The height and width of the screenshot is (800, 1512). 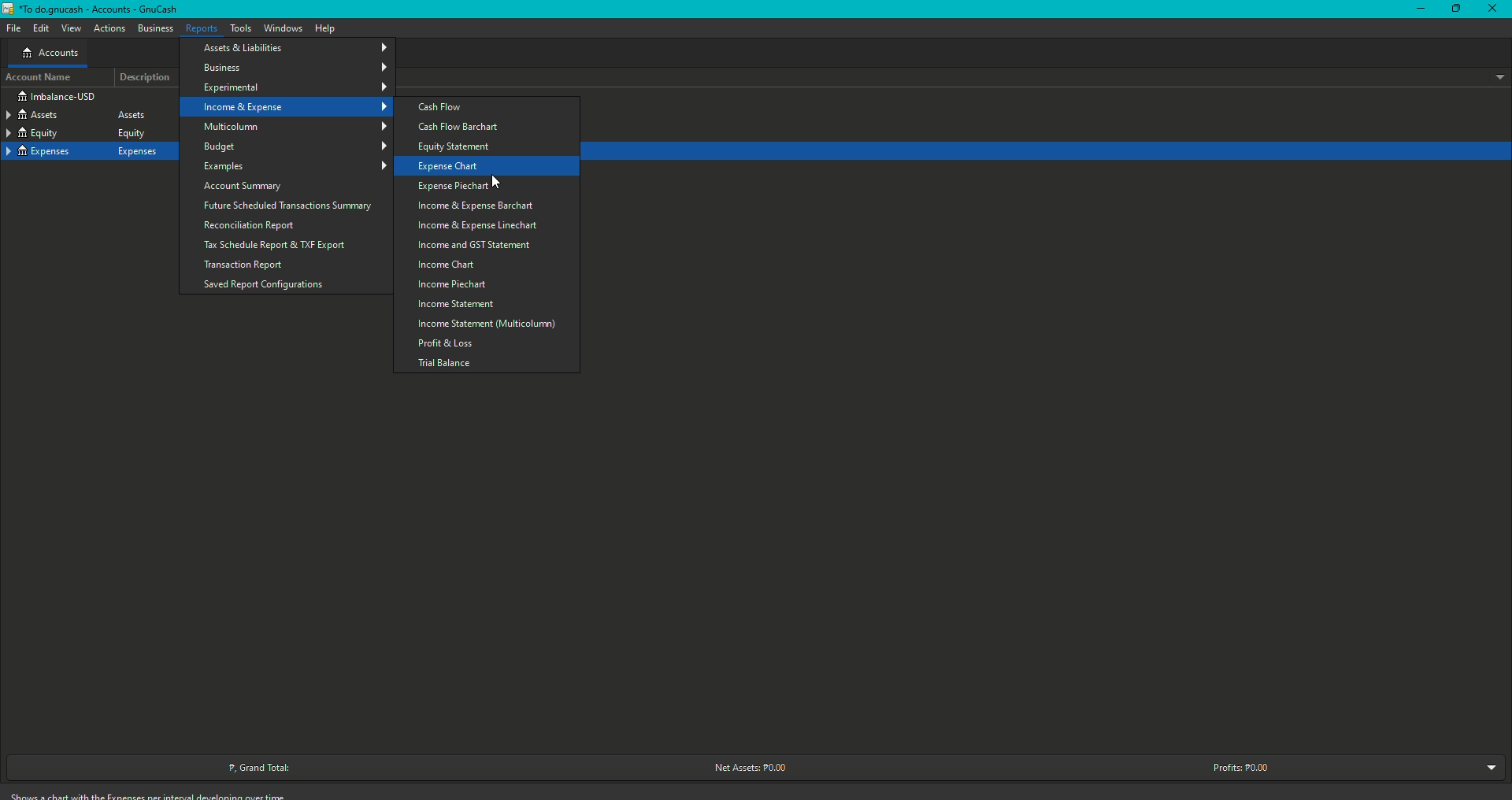 I want to click on Cash Flow, so click(x=439, y=109).